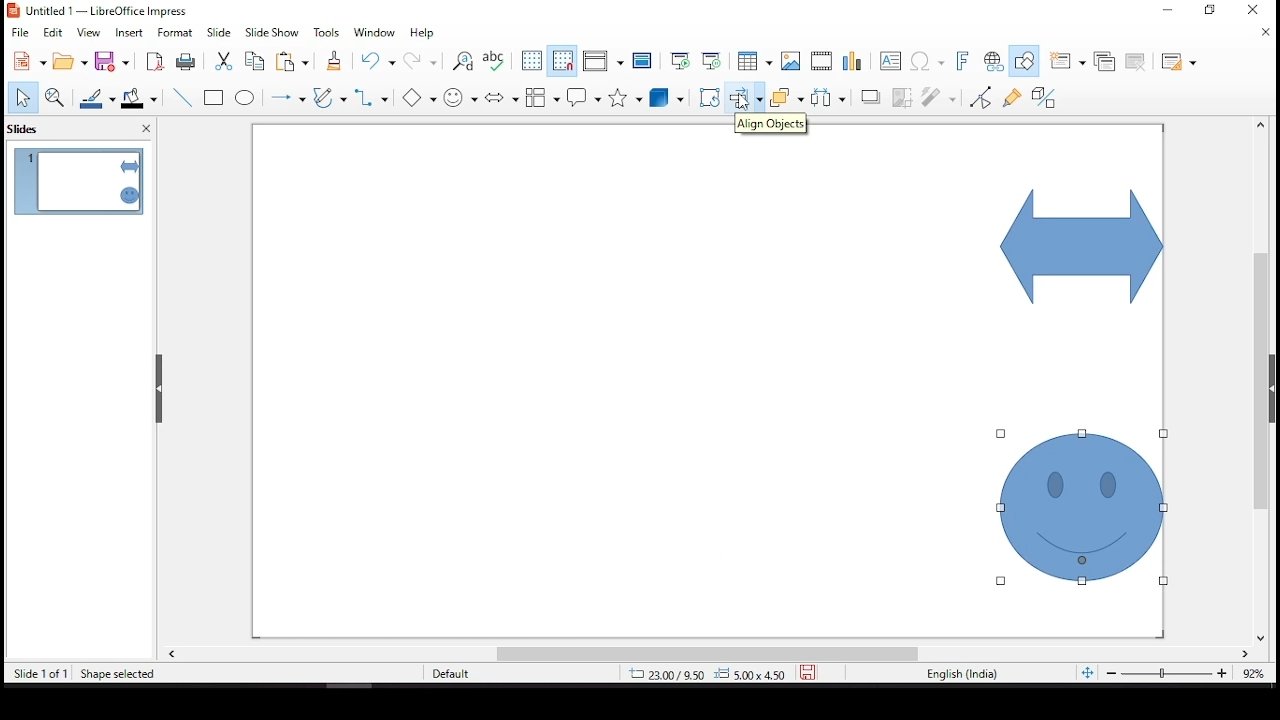  Describe the element at coordinates (371, 99) in the screenshot. I see `connectors` at that location.